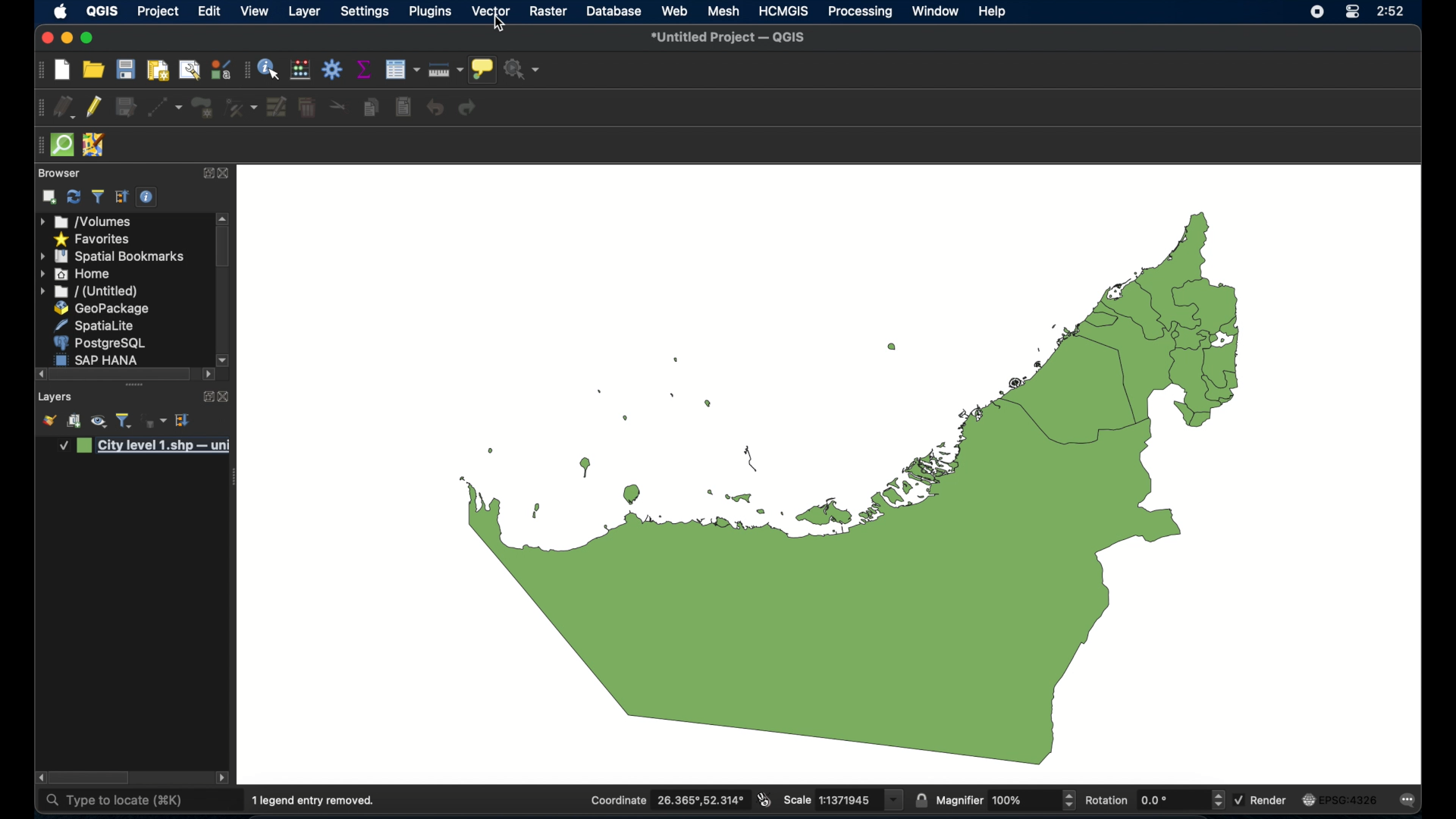  Describe the element at coordinates (39, 778) in the screenshot. I see `scroll right arrow` at that location.